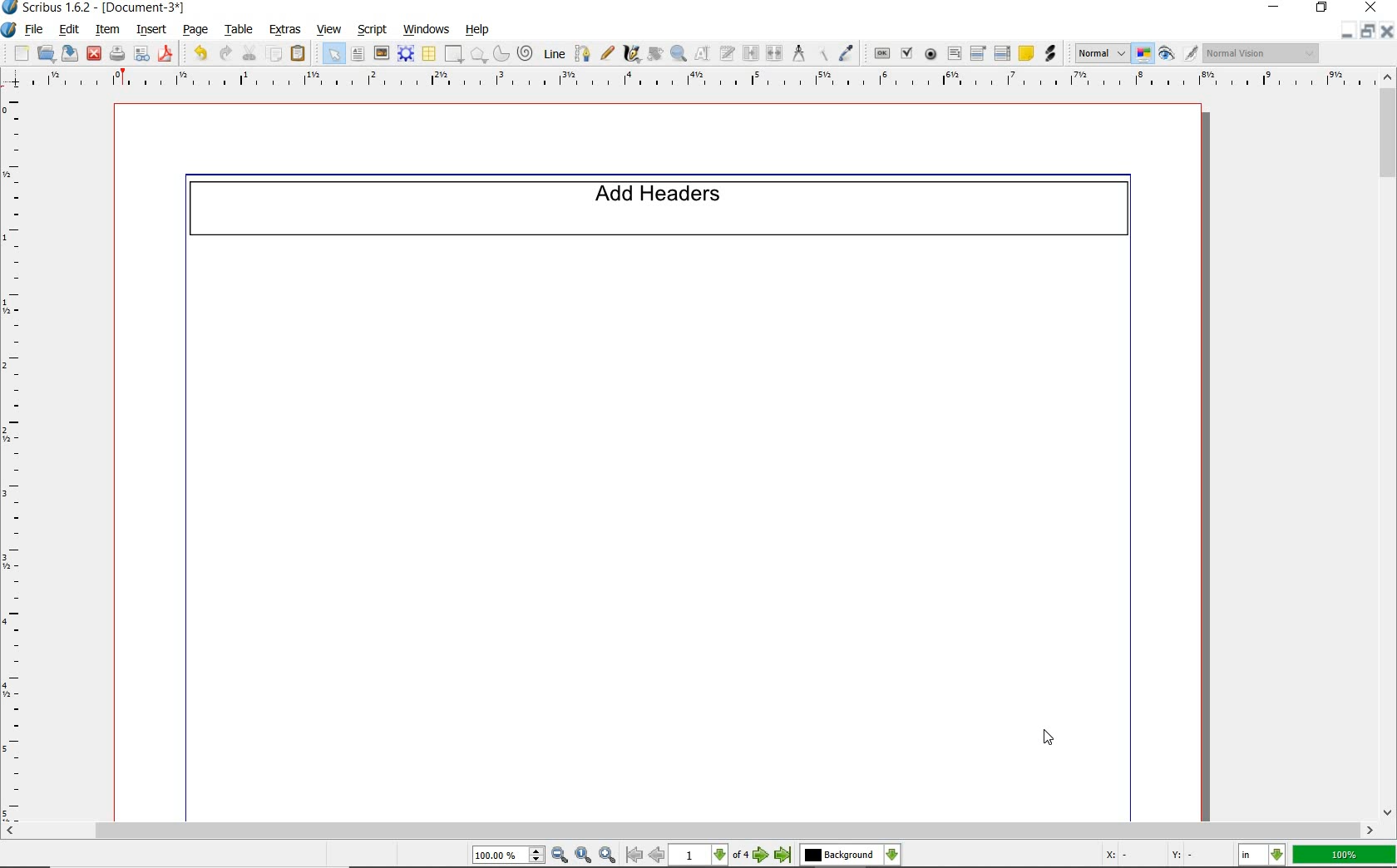 The image size is (1397, 868). What do you see at coordinates (1276, 7) in the screenshot?
I see `minimize` at bounding box center [1276, 7].